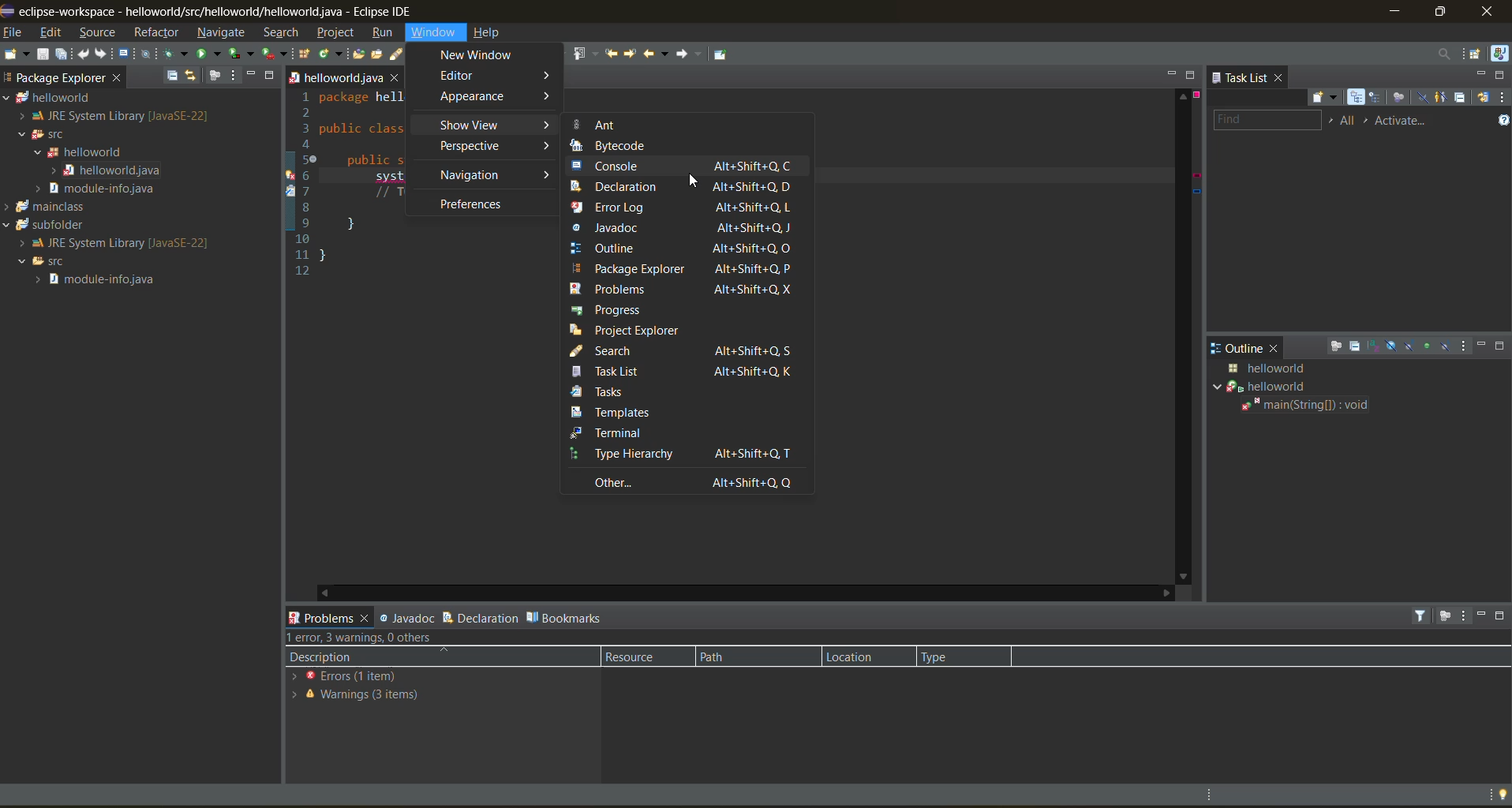  I want to click on helloworld java, so click(349, 77).